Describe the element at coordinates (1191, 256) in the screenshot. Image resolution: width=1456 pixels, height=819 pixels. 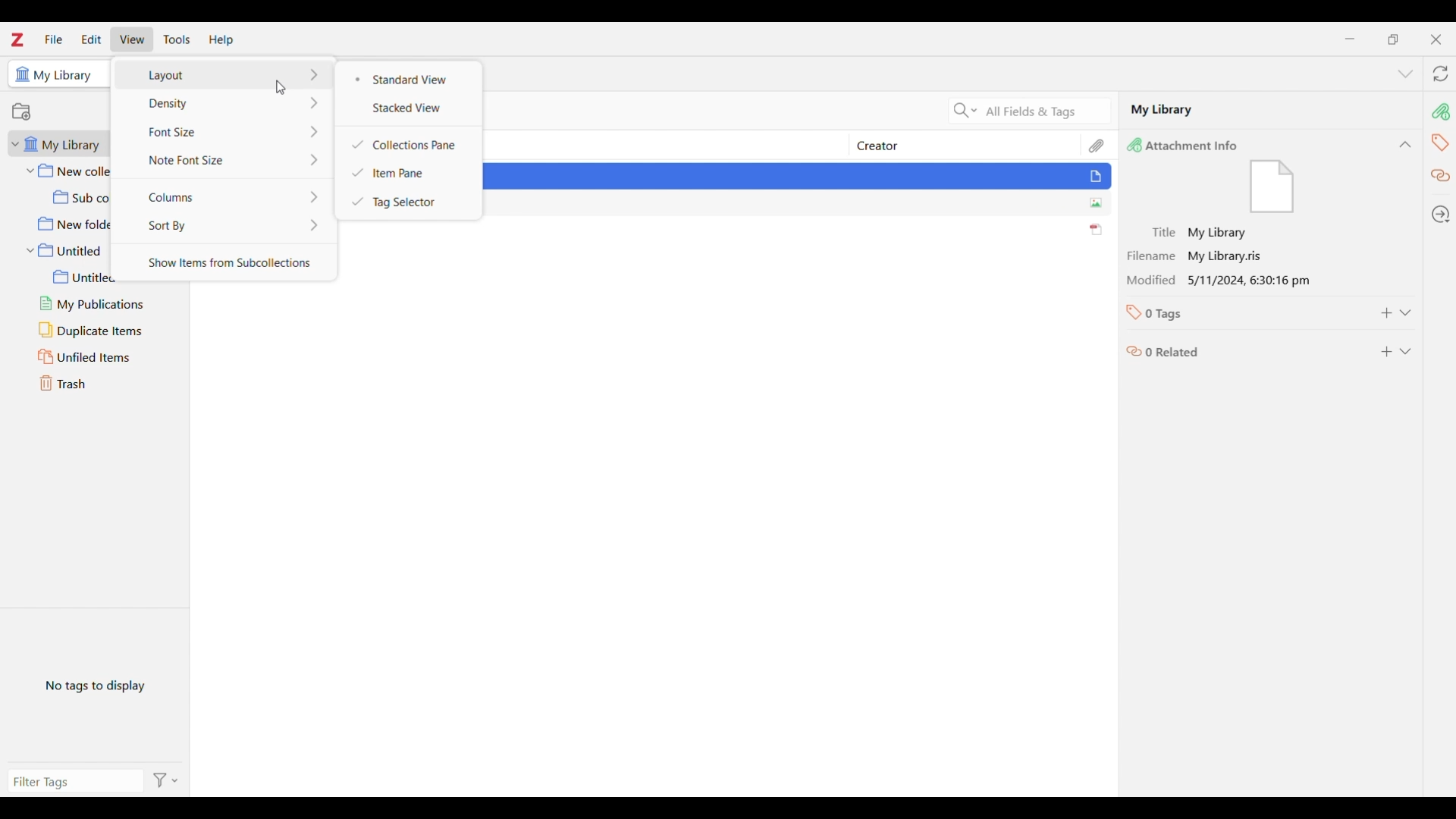
I see `Filename of selected file` at that location.